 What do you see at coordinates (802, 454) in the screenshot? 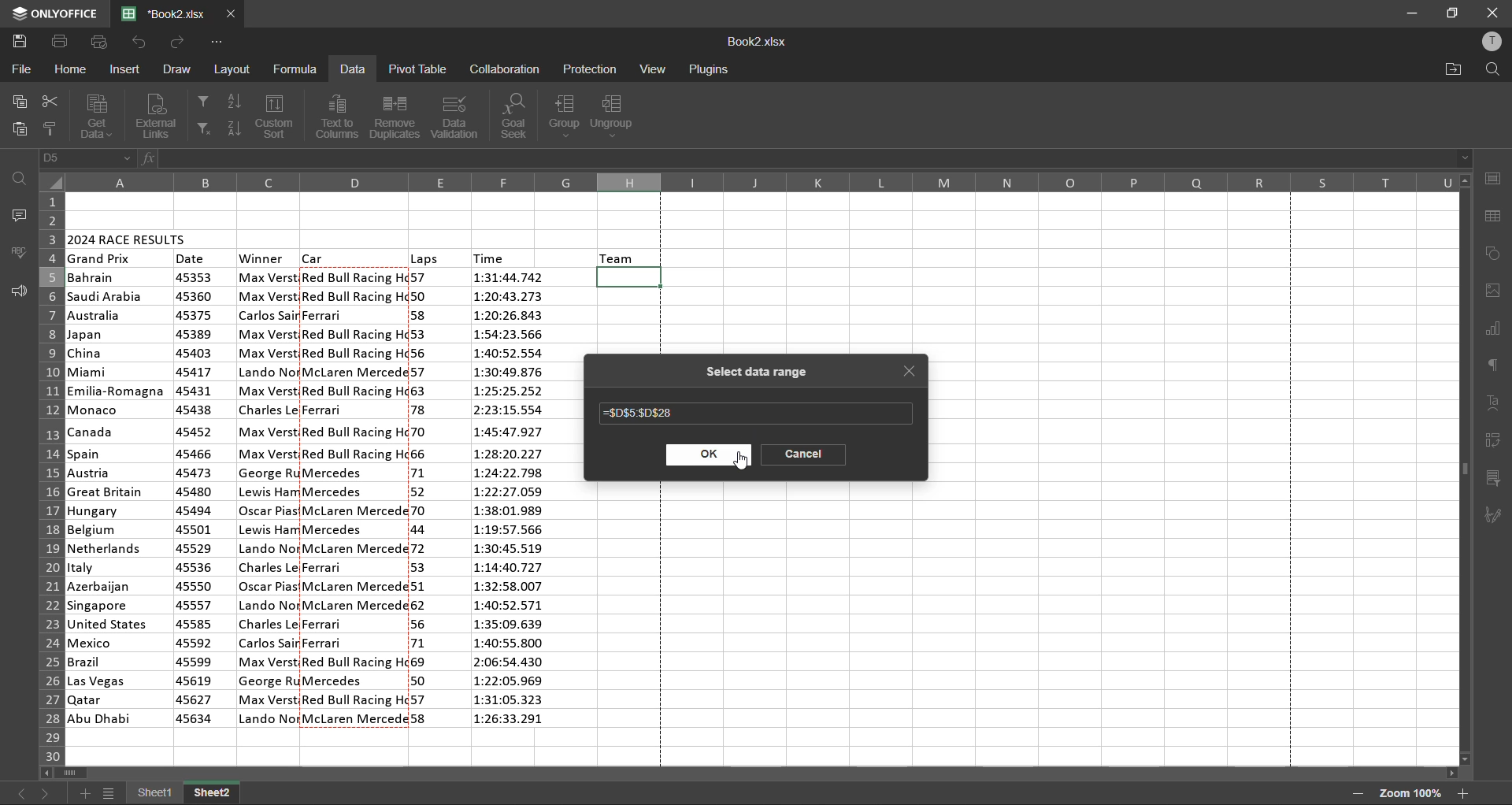
I see `cancel` at bounding box center [802, 454].